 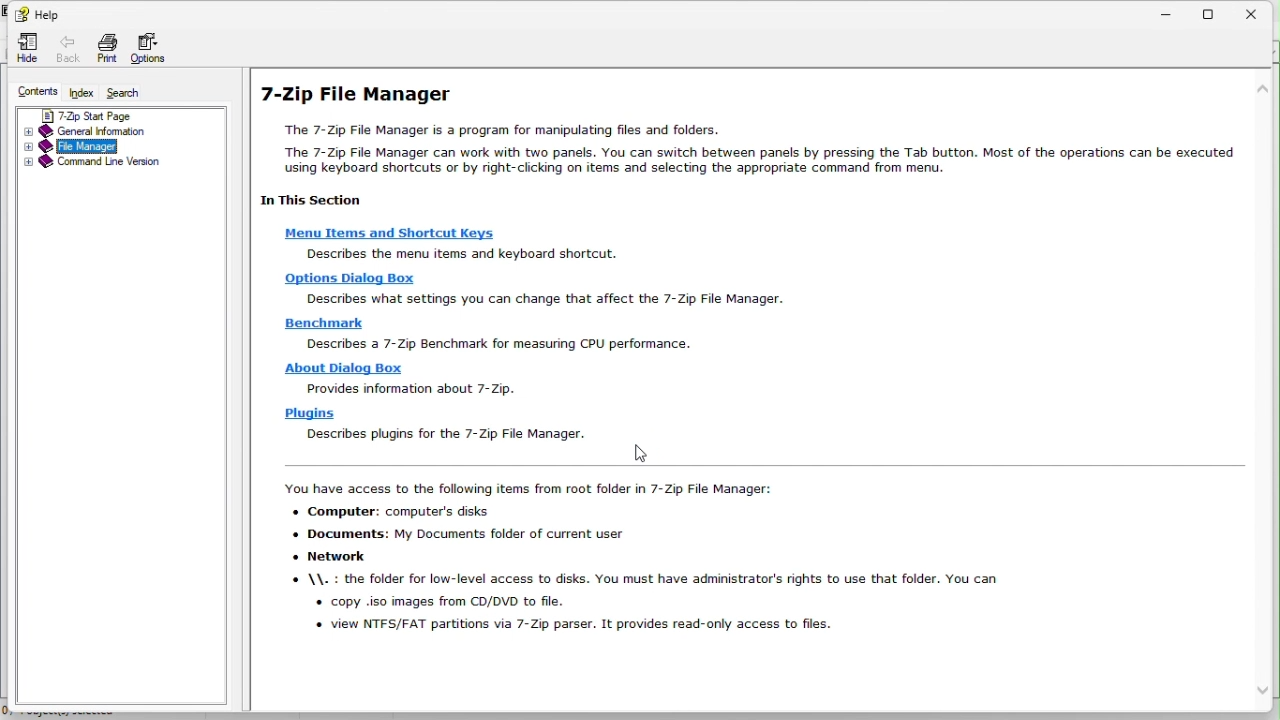 What do you see at coordinates (645, 569) in the screenshot?
I see `You have access to the following items from root folder in 7-Zip File Manager:
«+ Computer: computer's disks
+ Documents: My Documents folder of current user
« Network
© \\. : the folder for low-level access to disks. You must have administrator's rights to use that folder. You can
+ copy .iso images from CD/DVD to file.
«view NTFS/FAT partitions via 7-Zip parser. It provides read-only access to files.` at bounding box center [645, 569].